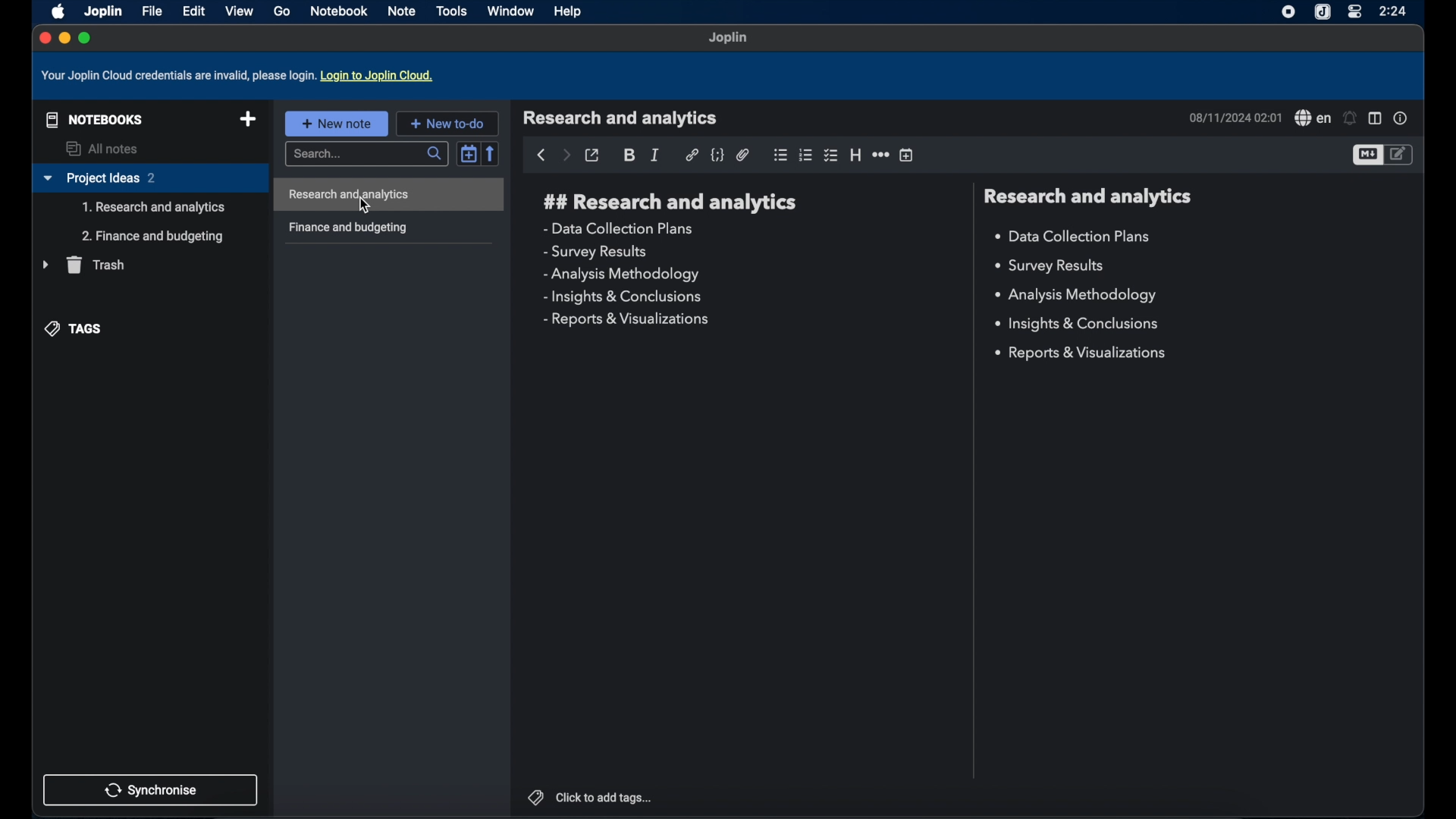 This screenshot has width=1456, height=819. What do you see at coordinates (510, 11) in the screenshot?
I see `window` at bounding box center [510, 11].